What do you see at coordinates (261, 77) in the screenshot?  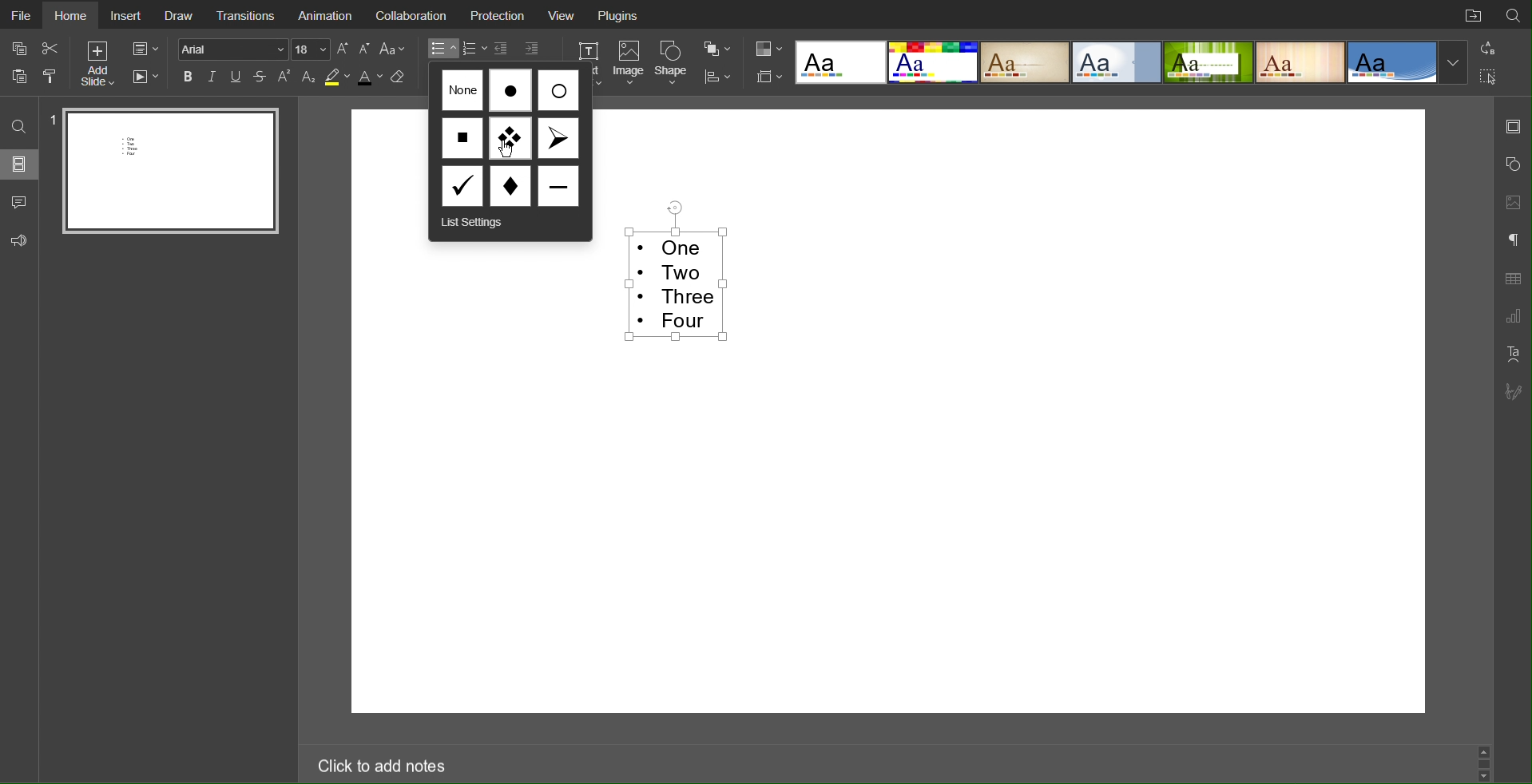 I see `Strikethrough` at bounding box center [261, 77].